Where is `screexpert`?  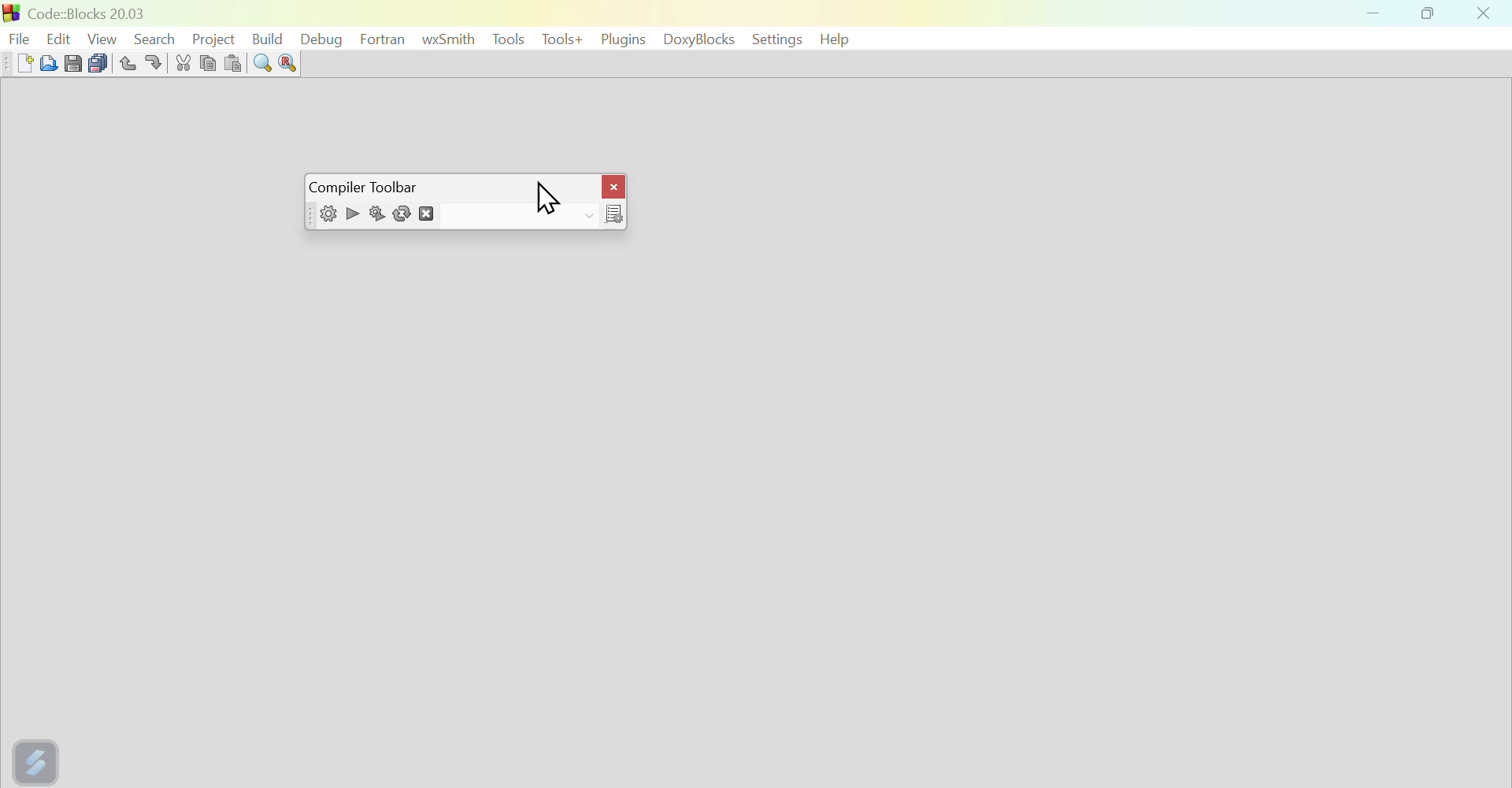
screexpert is located at coordinates (39, 759).